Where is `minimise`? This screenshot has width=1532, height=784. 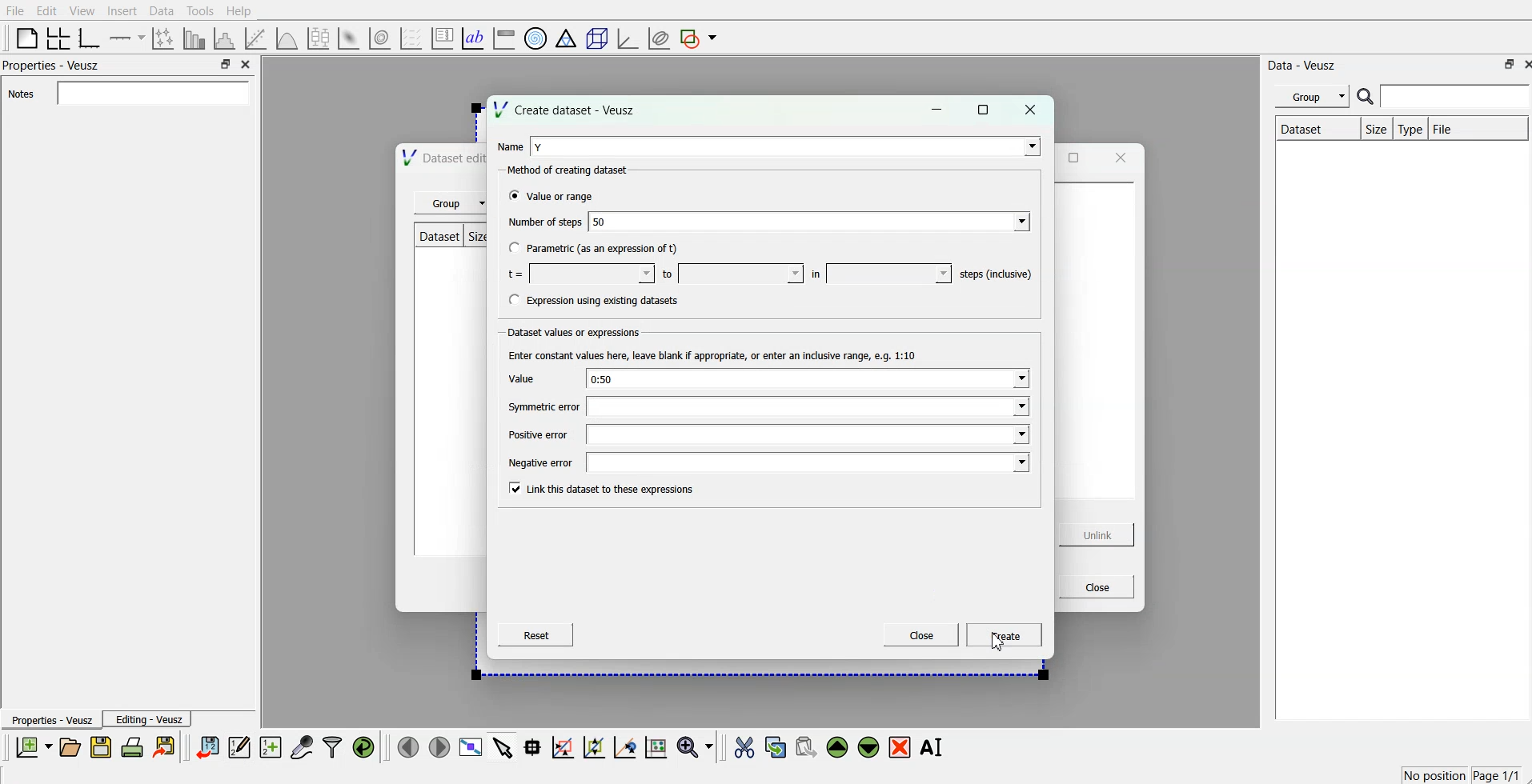
minimise is located at coordinates (225, 62).